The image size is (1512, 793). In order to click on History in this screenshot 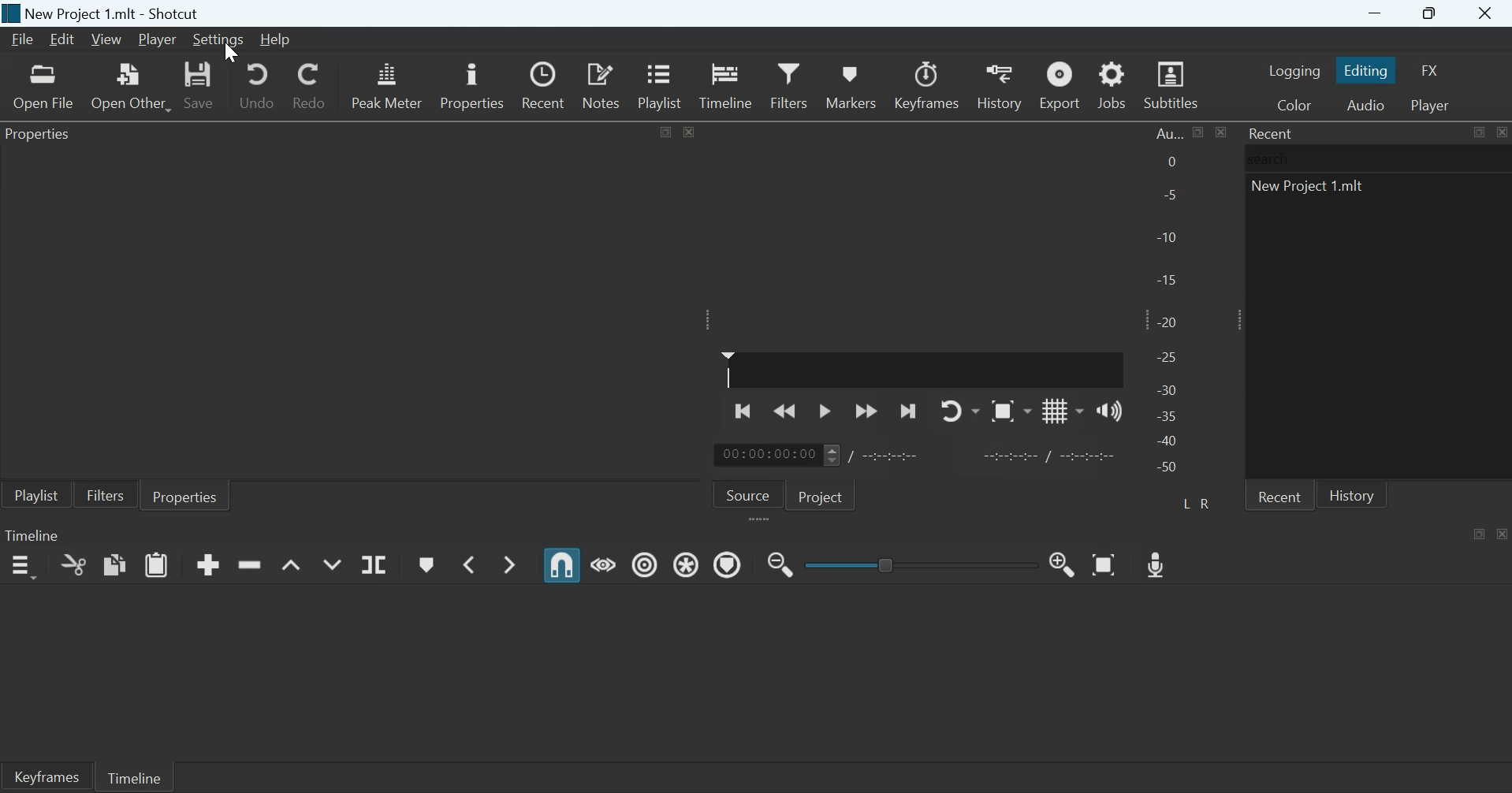, I will do `click(998, 85)`.